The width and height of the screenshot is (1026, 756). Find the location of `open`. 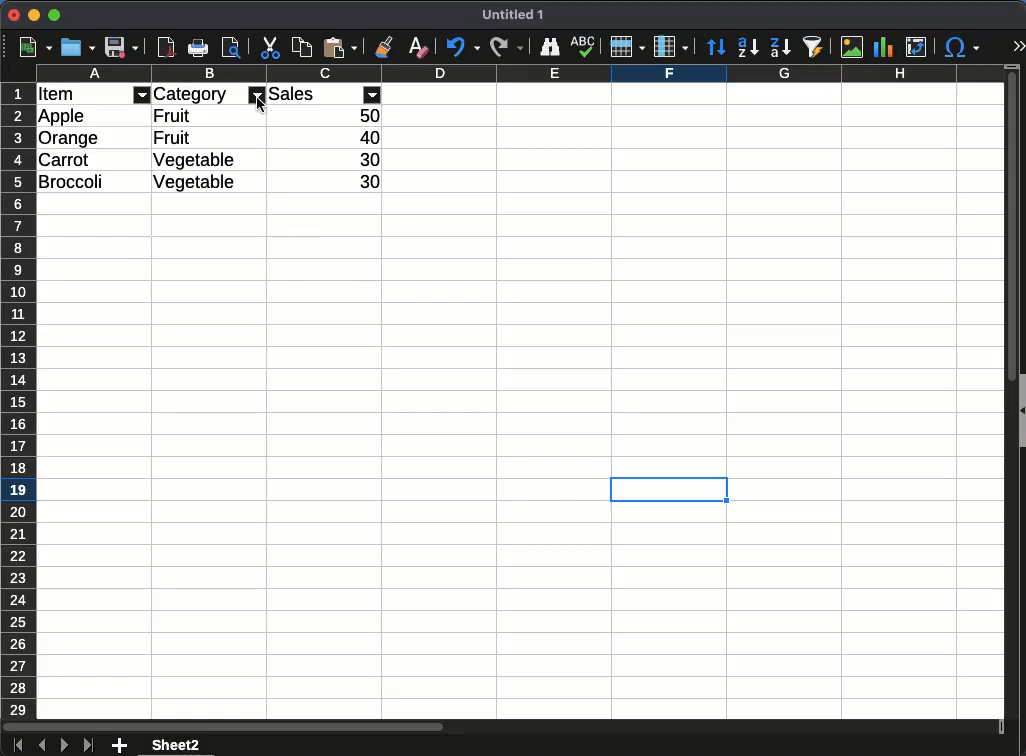

open is located at coordinates (79, 47).